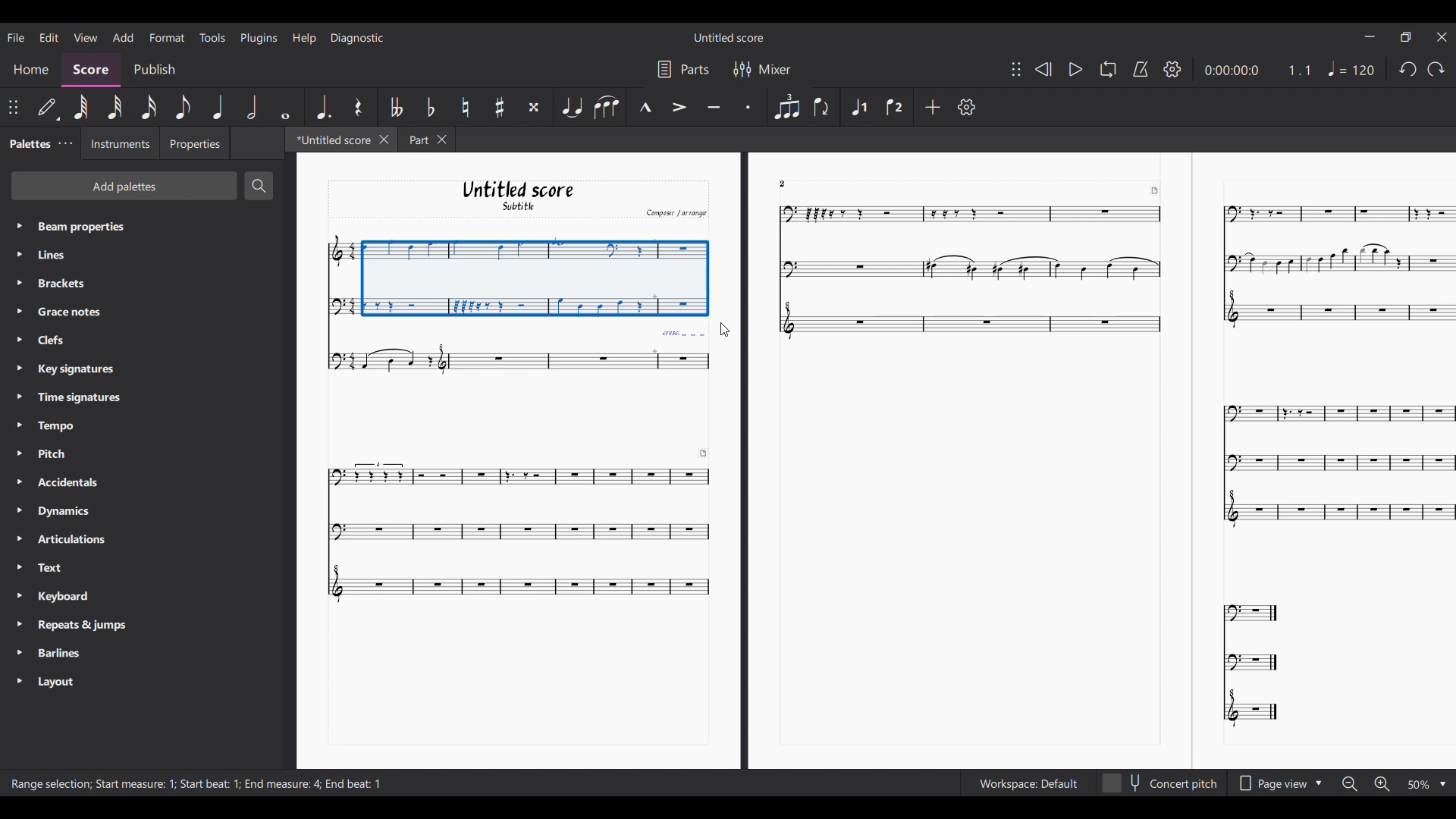 The height and width of the screenshot is (819, 1456). What do you see at coordinates (1341, 260) in the screenshot?
I see `` at bounding box center [1341, 260].